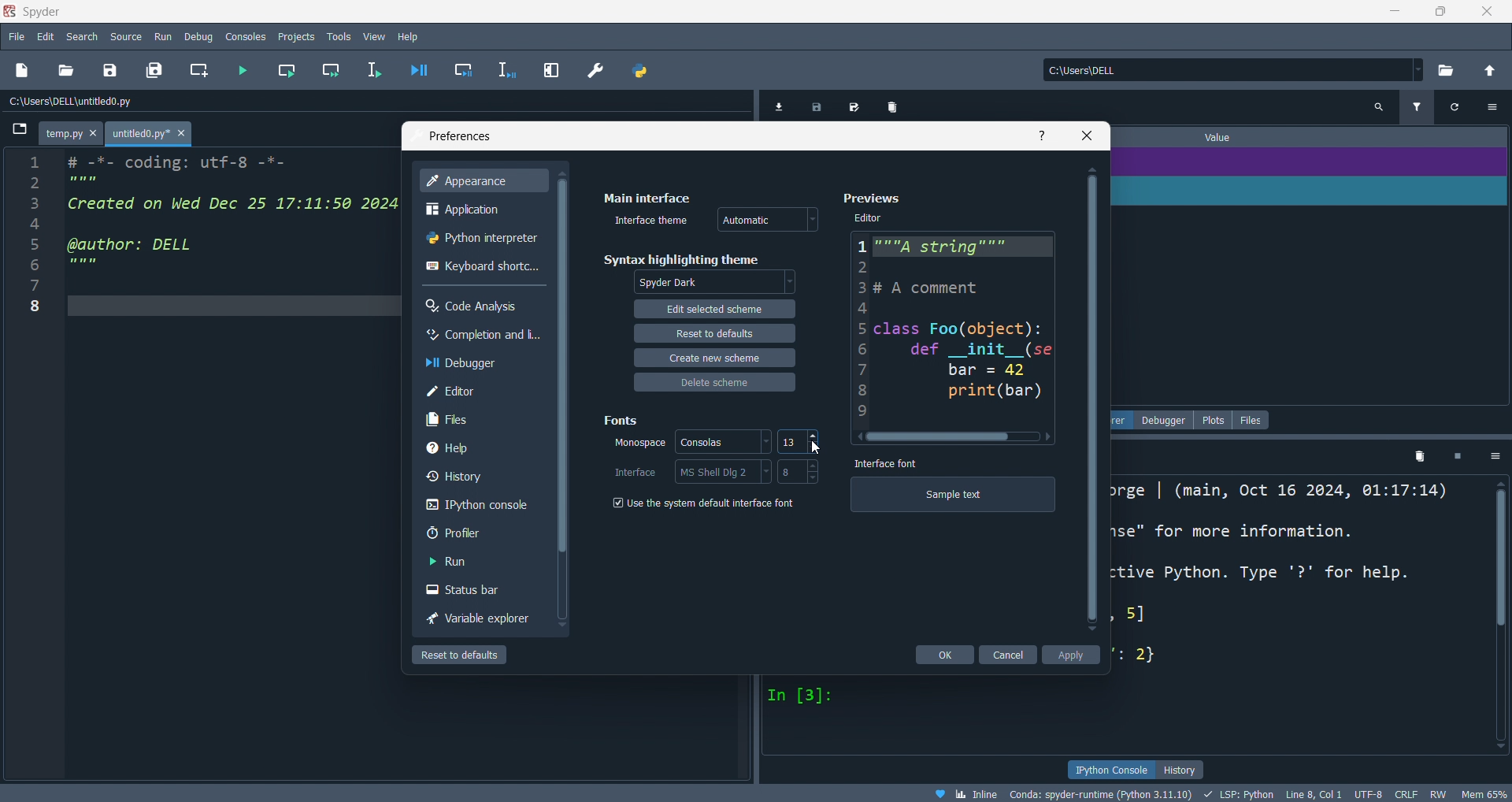  What do you see at coordinates (1170, 419) in the screenshot?
I see `debugger` at bounding box center [1170, 419].